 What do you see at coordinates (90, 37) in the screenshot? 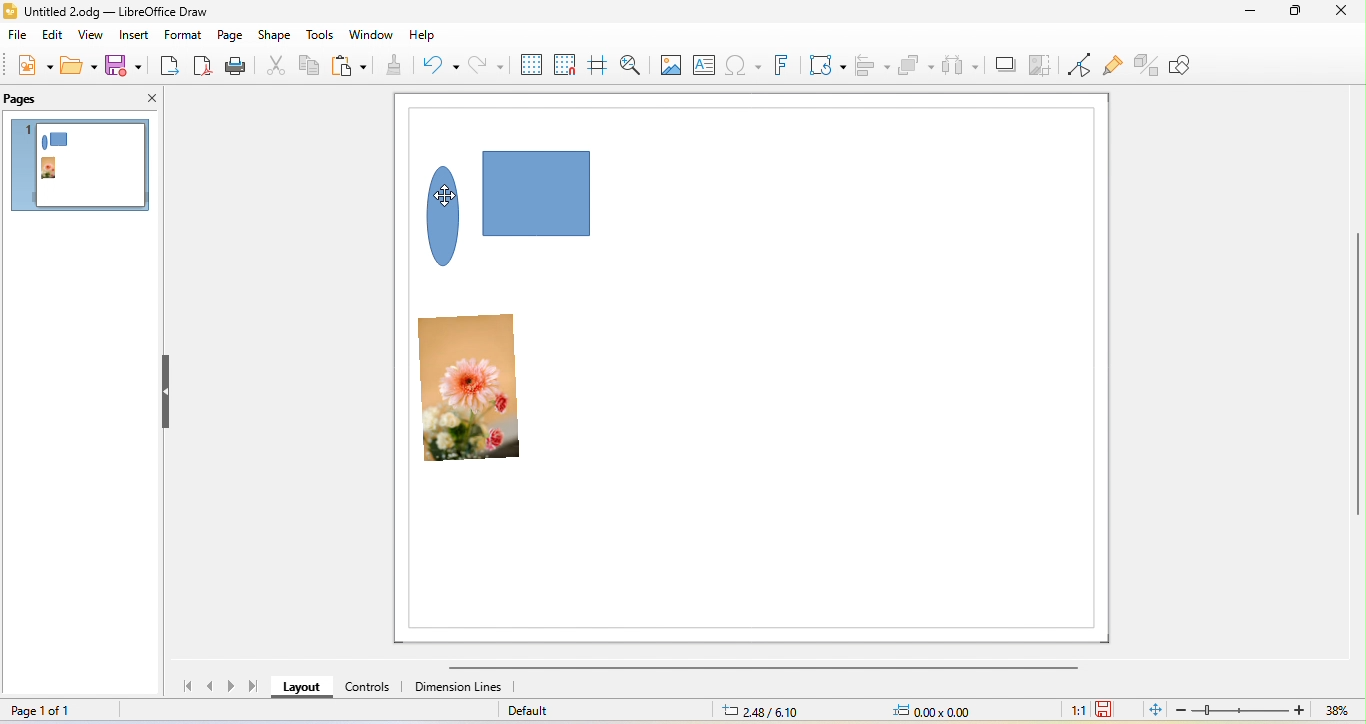
I see `view` at bounding box center [90, 37].